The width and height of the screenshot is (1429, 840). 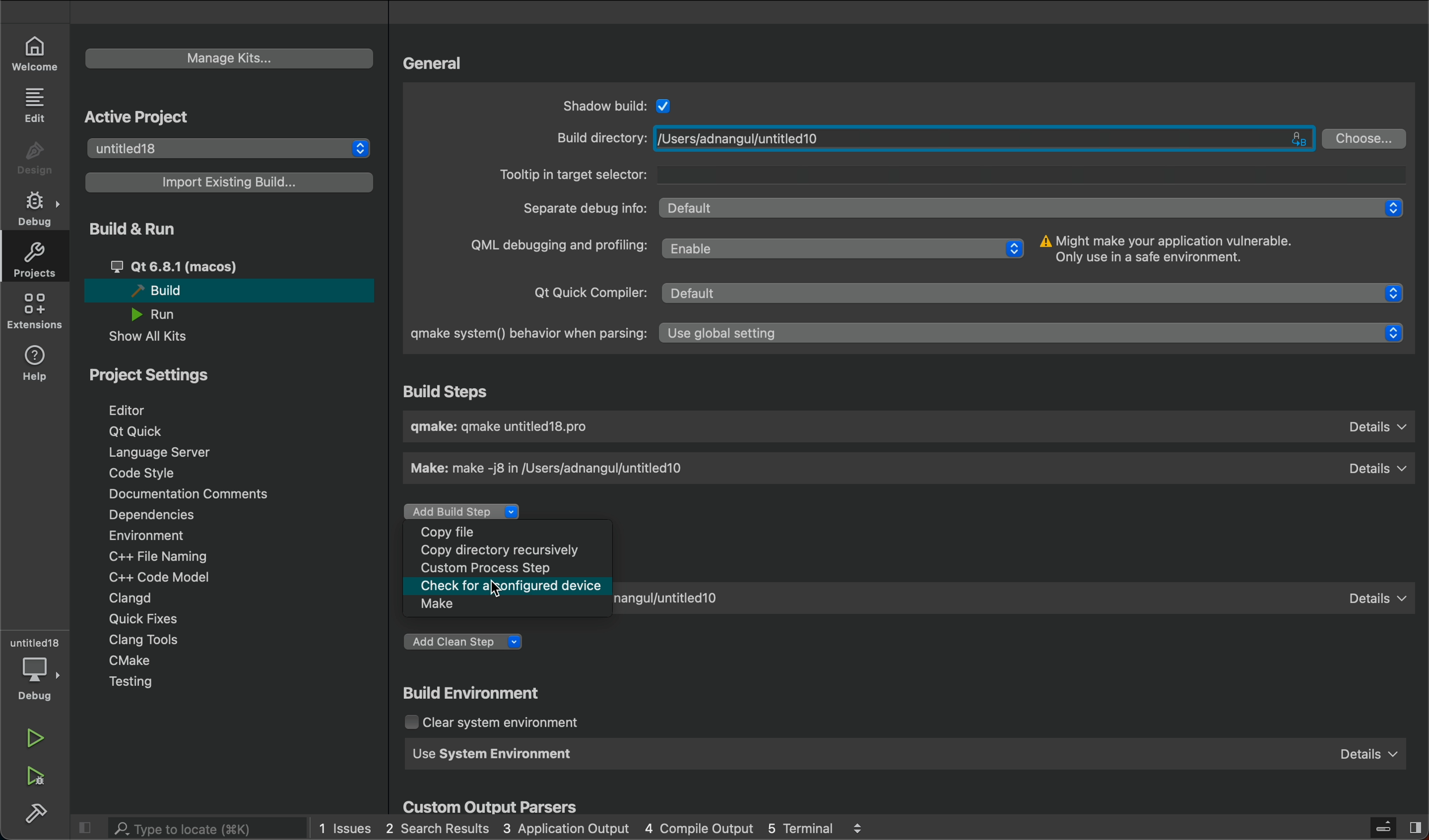 I want to click on Default, so click(x=1038, y=294).